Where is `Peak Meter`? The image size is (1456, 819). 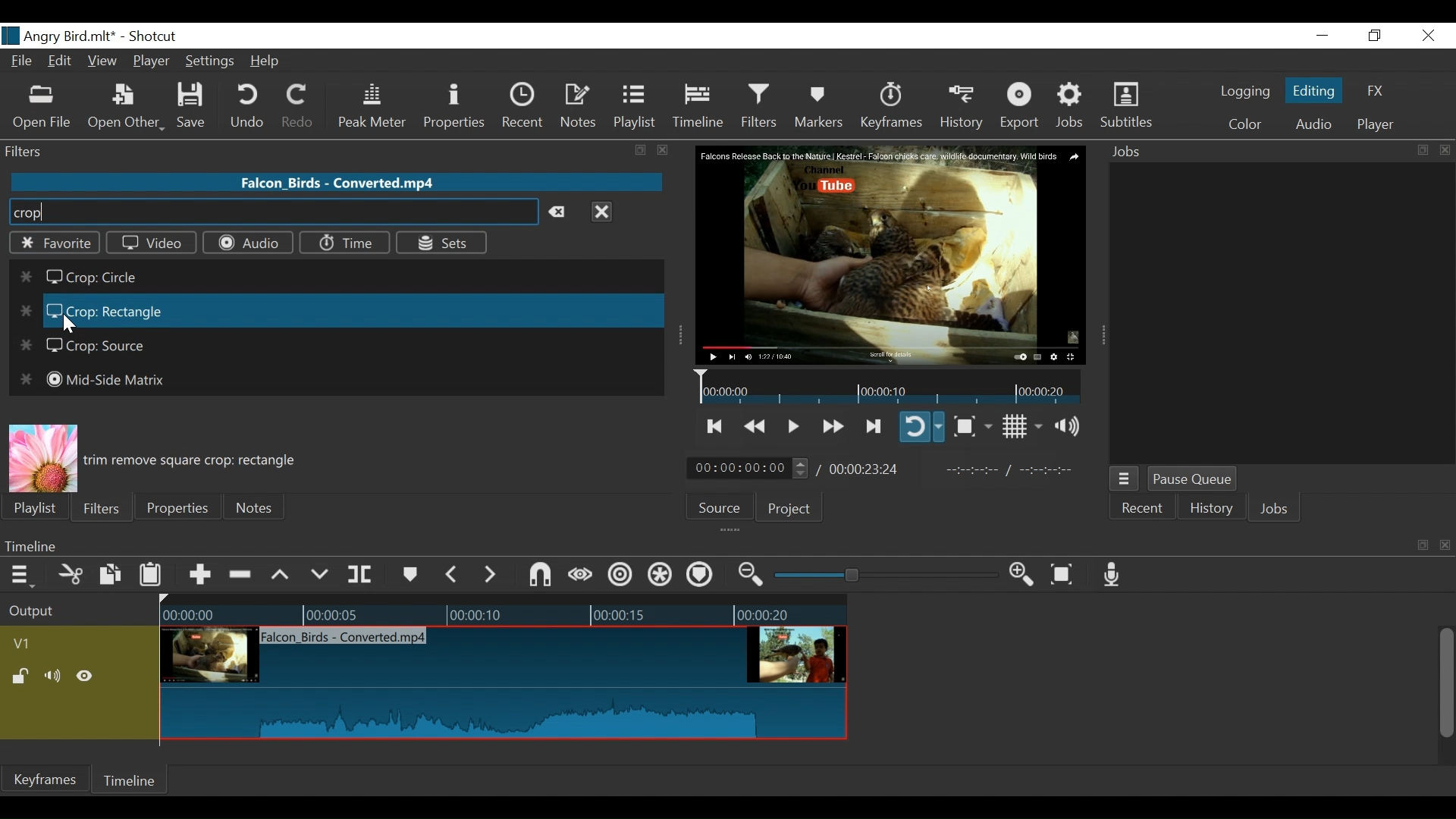 Peak Meter is located at coordinates (375, 107).